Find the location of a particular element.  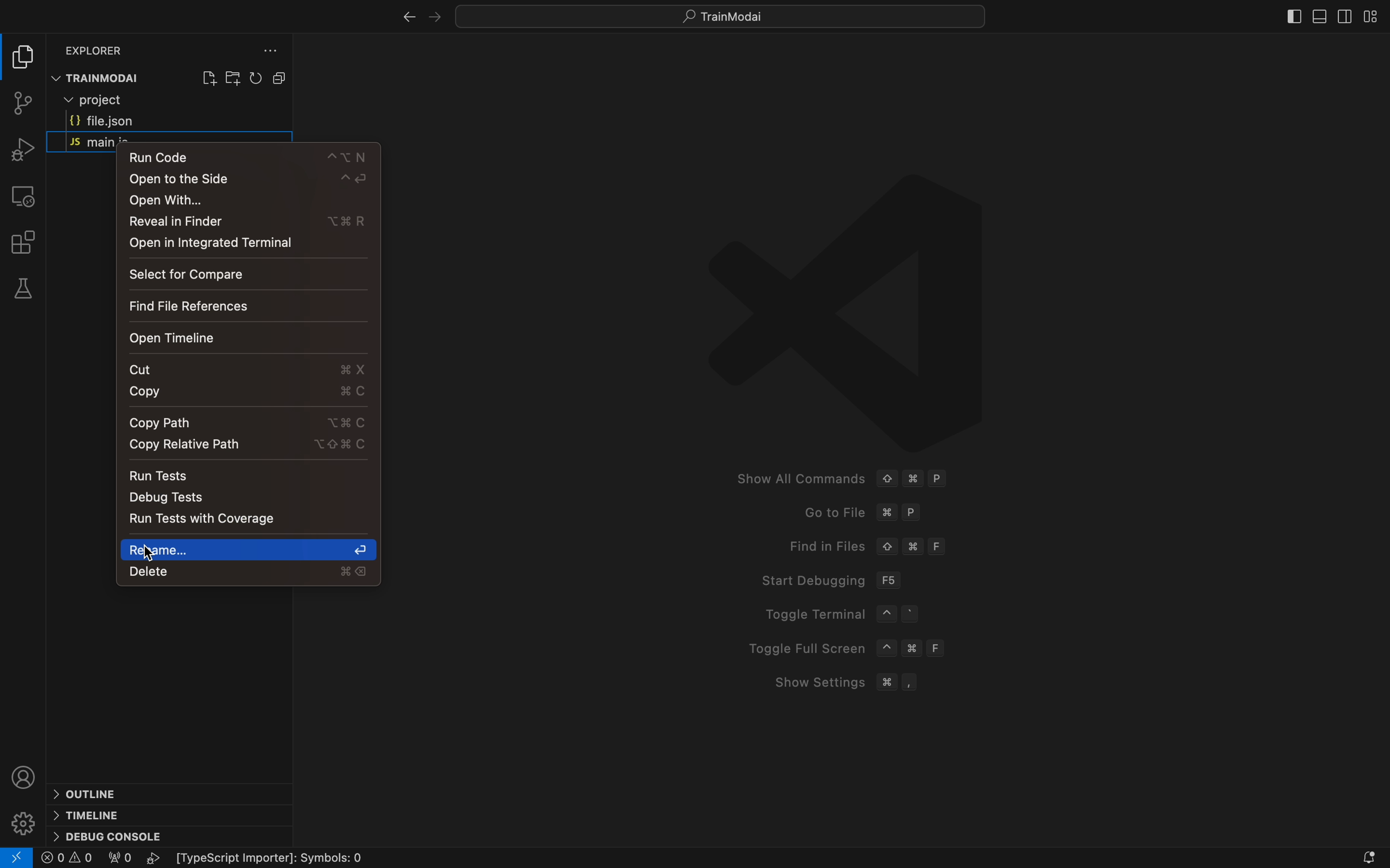

copy is located at coordinates (252, 392).